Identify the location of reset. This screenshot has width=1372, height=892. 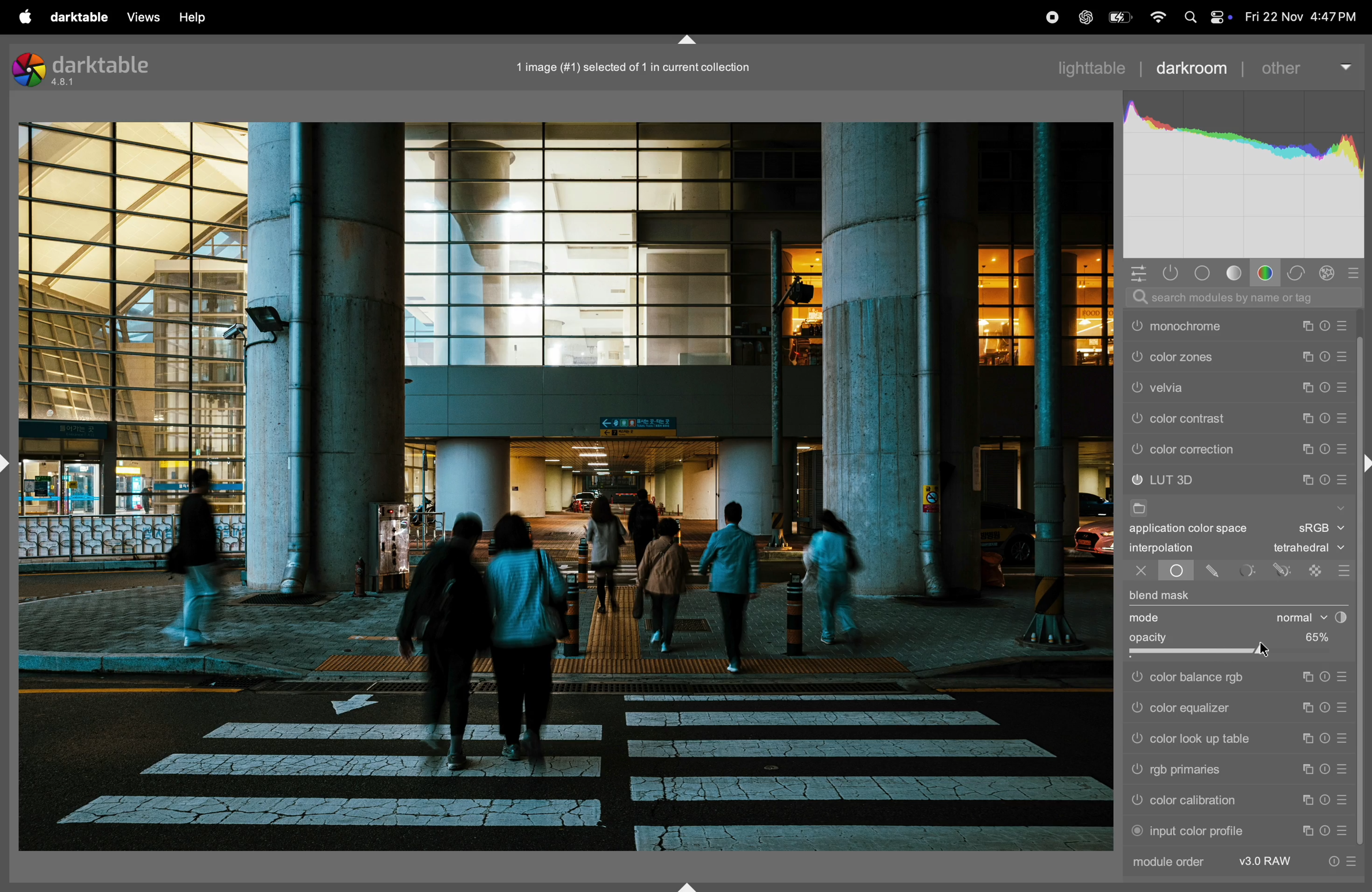
(1326, 448).